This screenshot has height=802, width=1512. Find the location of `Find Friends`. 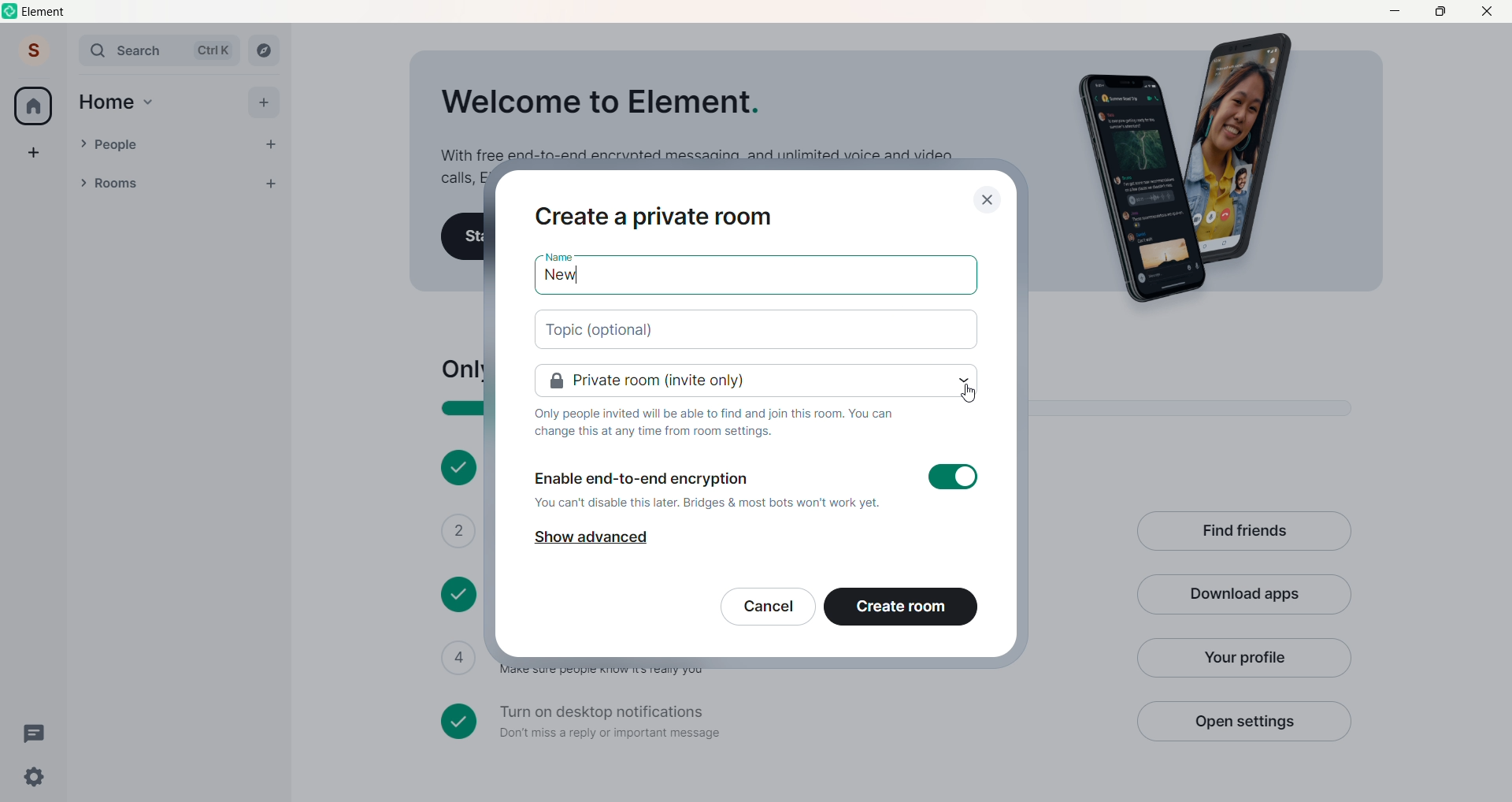

Find Friends is located at coordinates (1243, 533).